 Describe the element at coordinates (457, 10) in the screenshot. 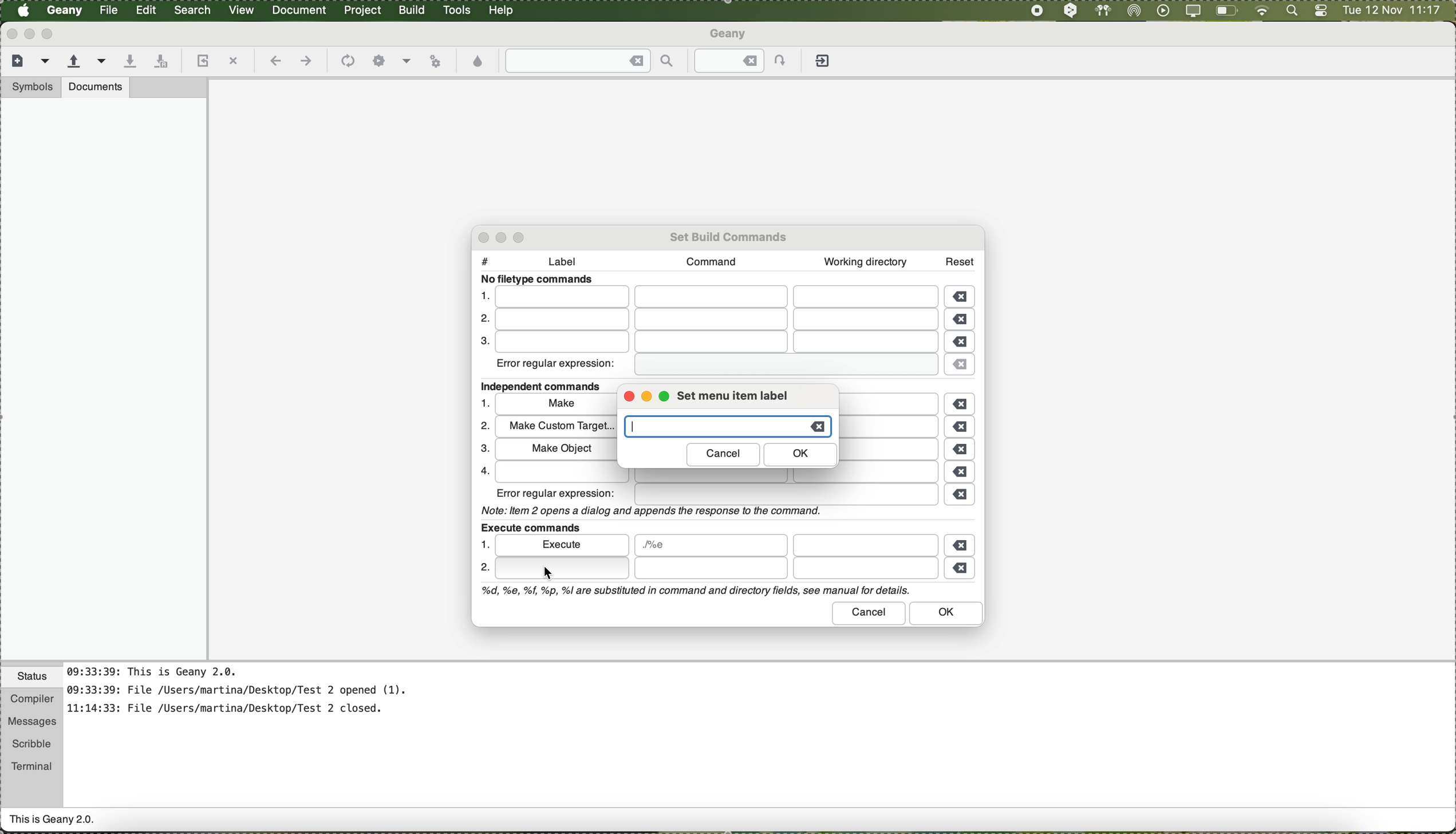

I see `tools` at that location.